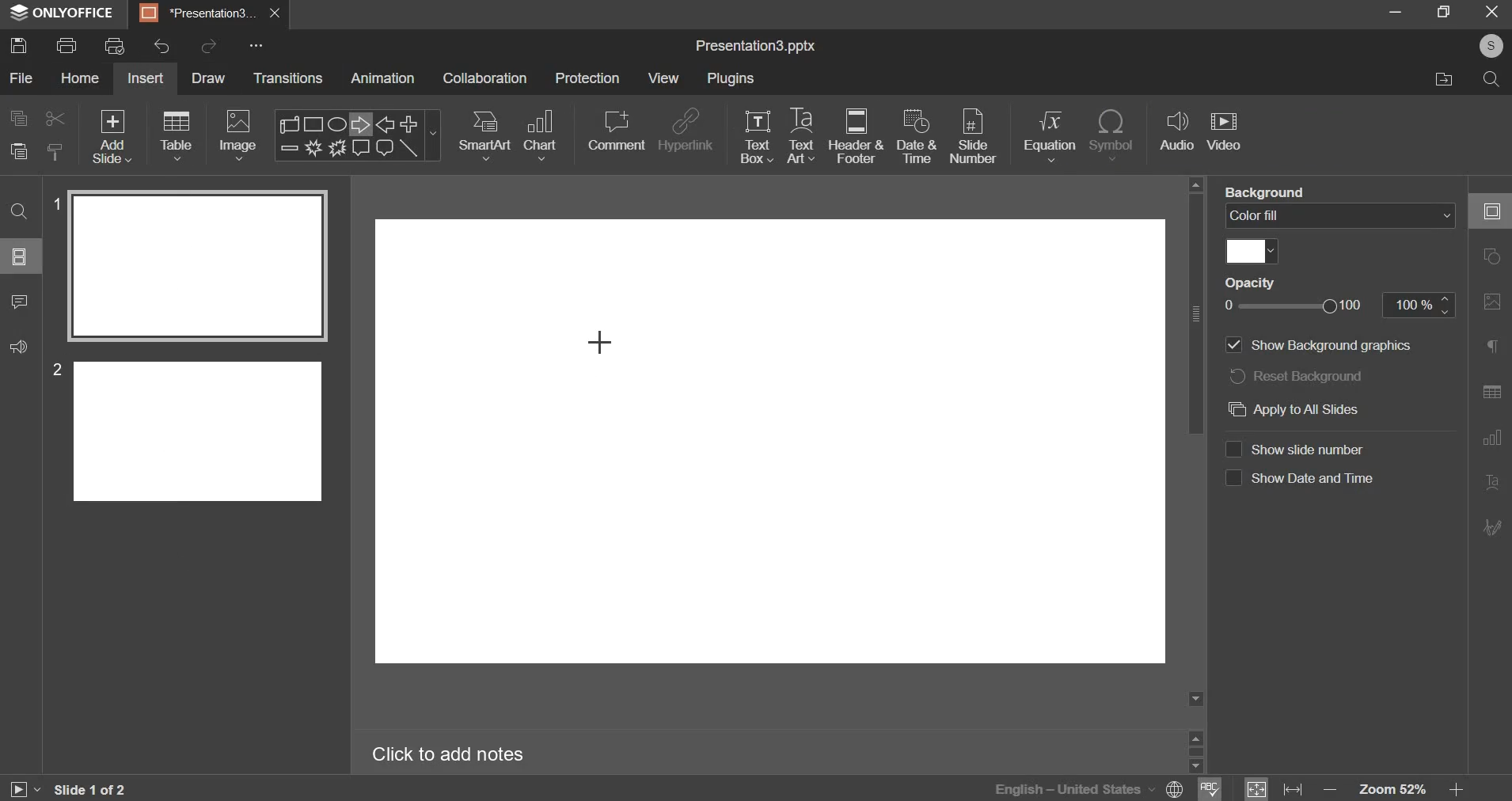 This screenshot has height=801, width=1512. Describe the element at coordinates (288, 147) in the screenshot. I see `minus` at that location.